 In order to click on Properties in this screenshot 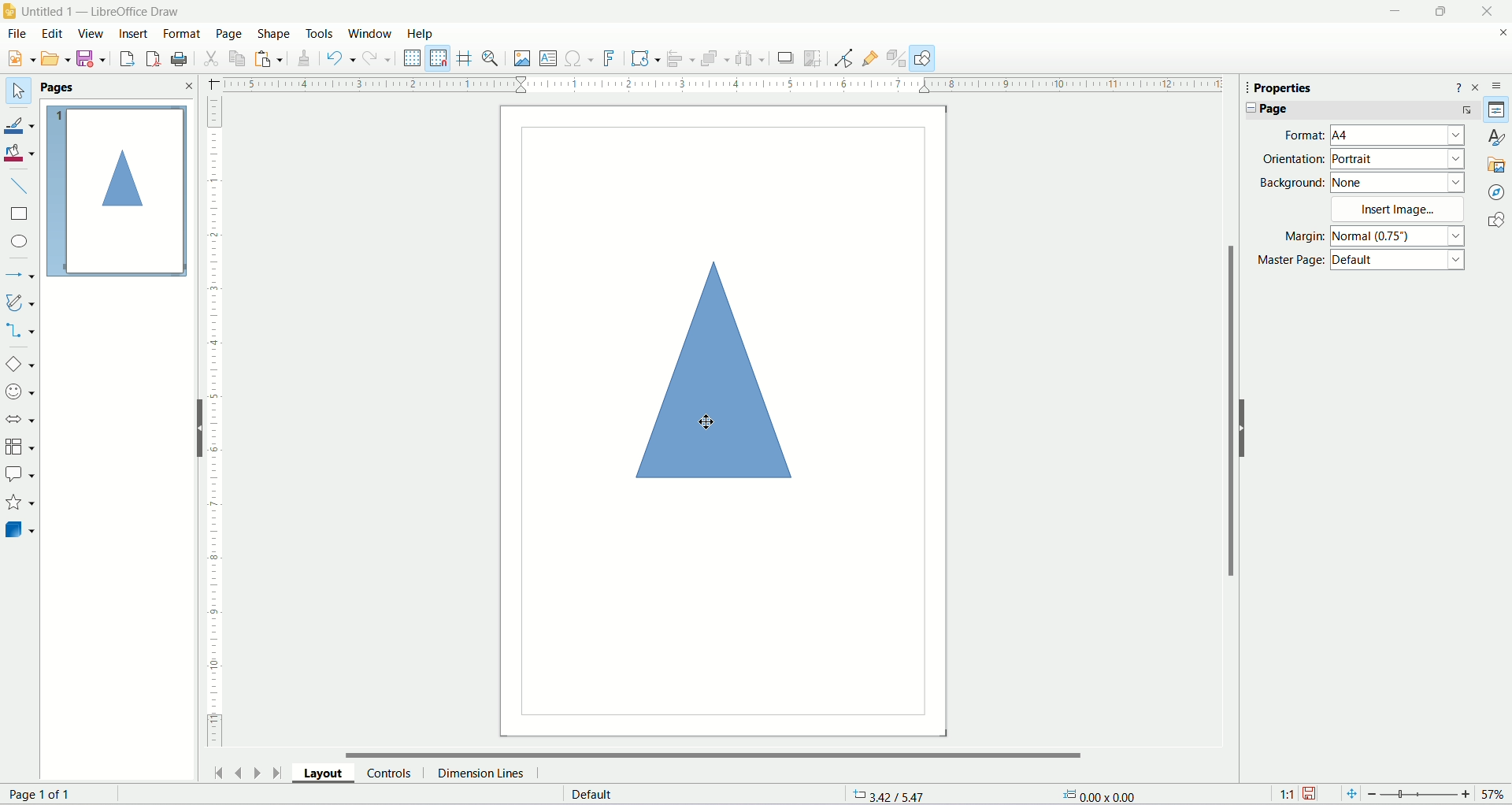, I will do `click(1499, 110)`.